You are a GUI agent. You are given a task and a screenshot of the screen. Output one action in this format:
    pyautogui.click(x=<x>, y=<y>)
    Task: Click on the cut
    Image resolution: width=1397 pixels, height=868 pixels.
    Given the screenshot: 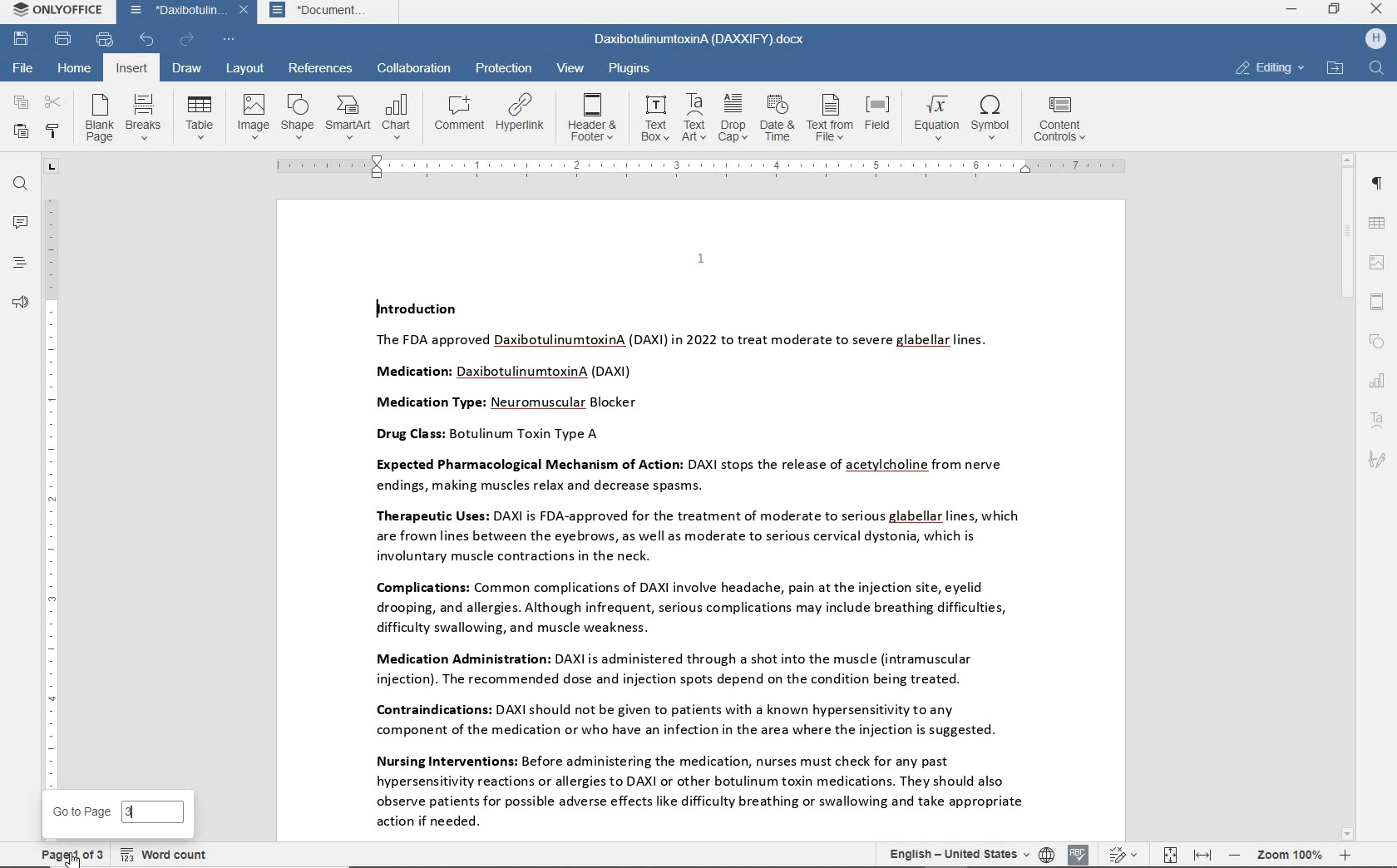 What is the action you would take?
    pyautogui.click(x=53, y=102)
    